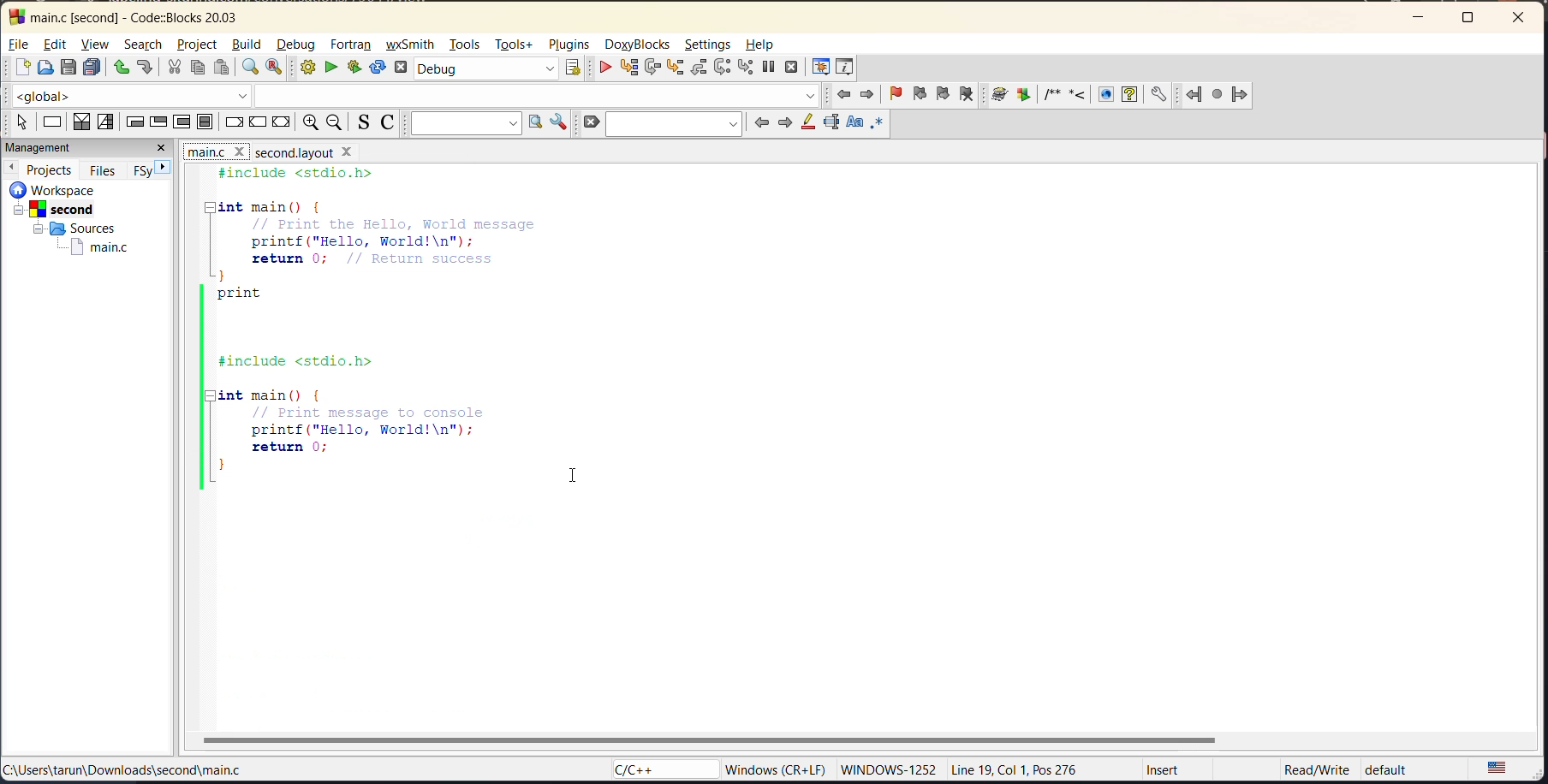  I want to click on file name, so click(305, 153).